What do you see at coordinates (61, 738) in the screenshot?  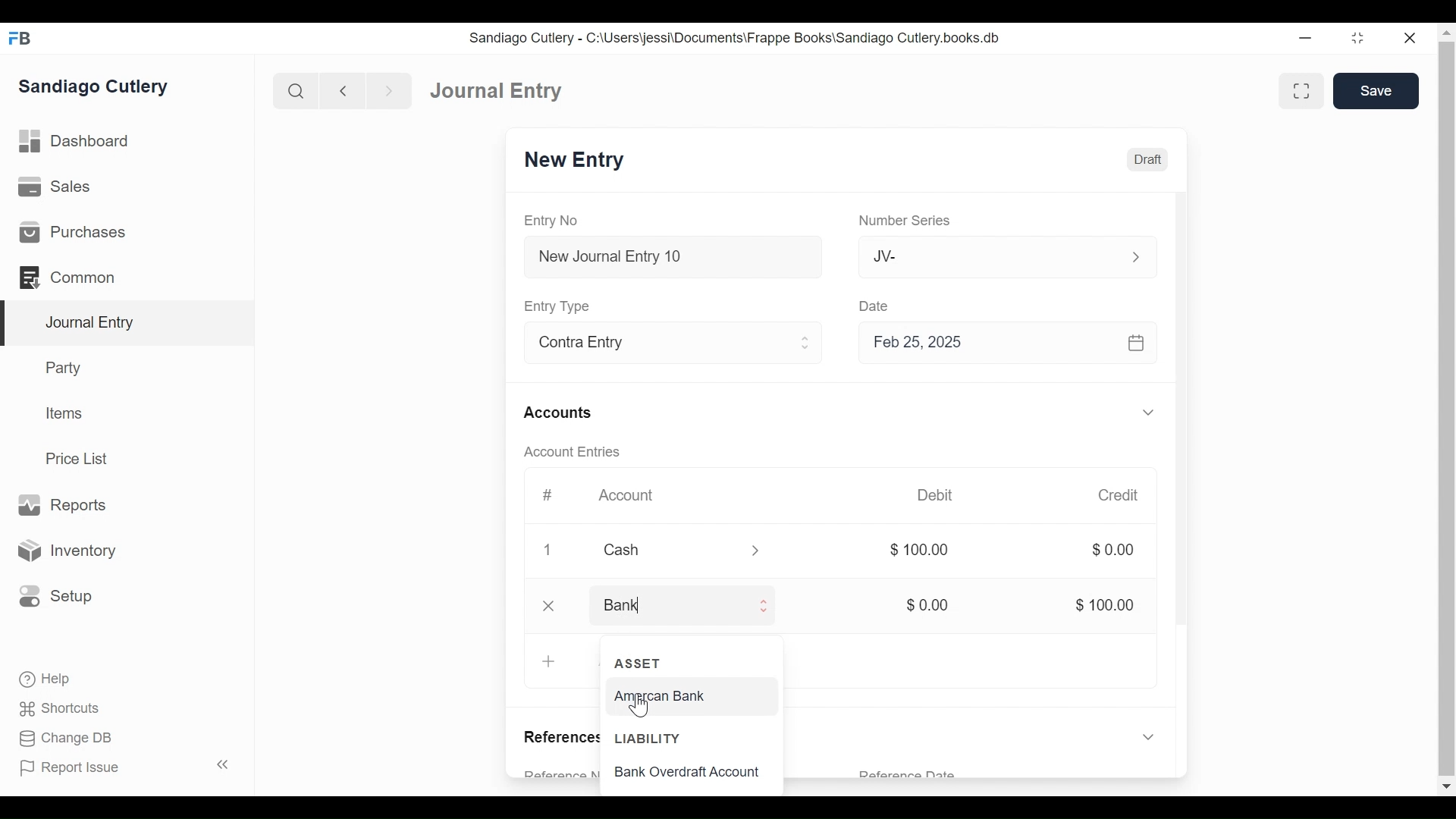 I see `Change DB` at bounding box center [61, 738].